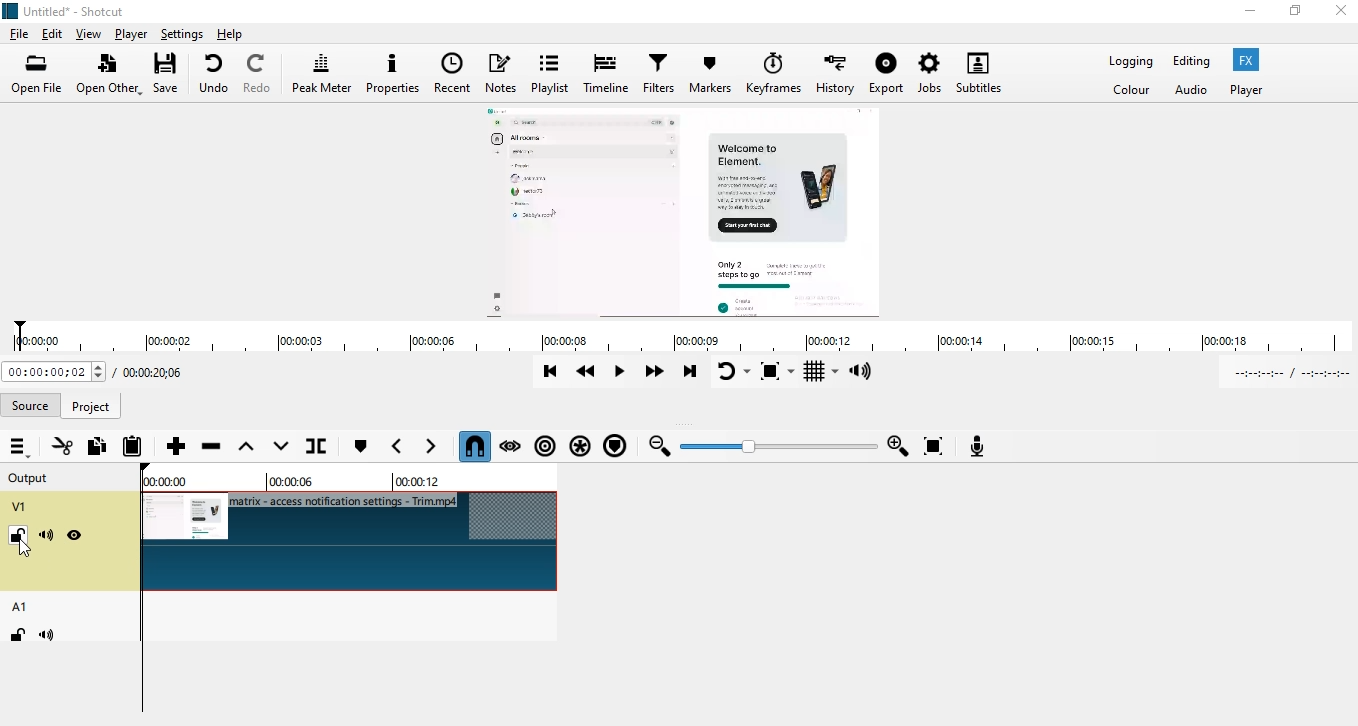  What do you see at coordinates (20, 507) in the screenshot?
I see `v1` at bounding box center [20, 507].